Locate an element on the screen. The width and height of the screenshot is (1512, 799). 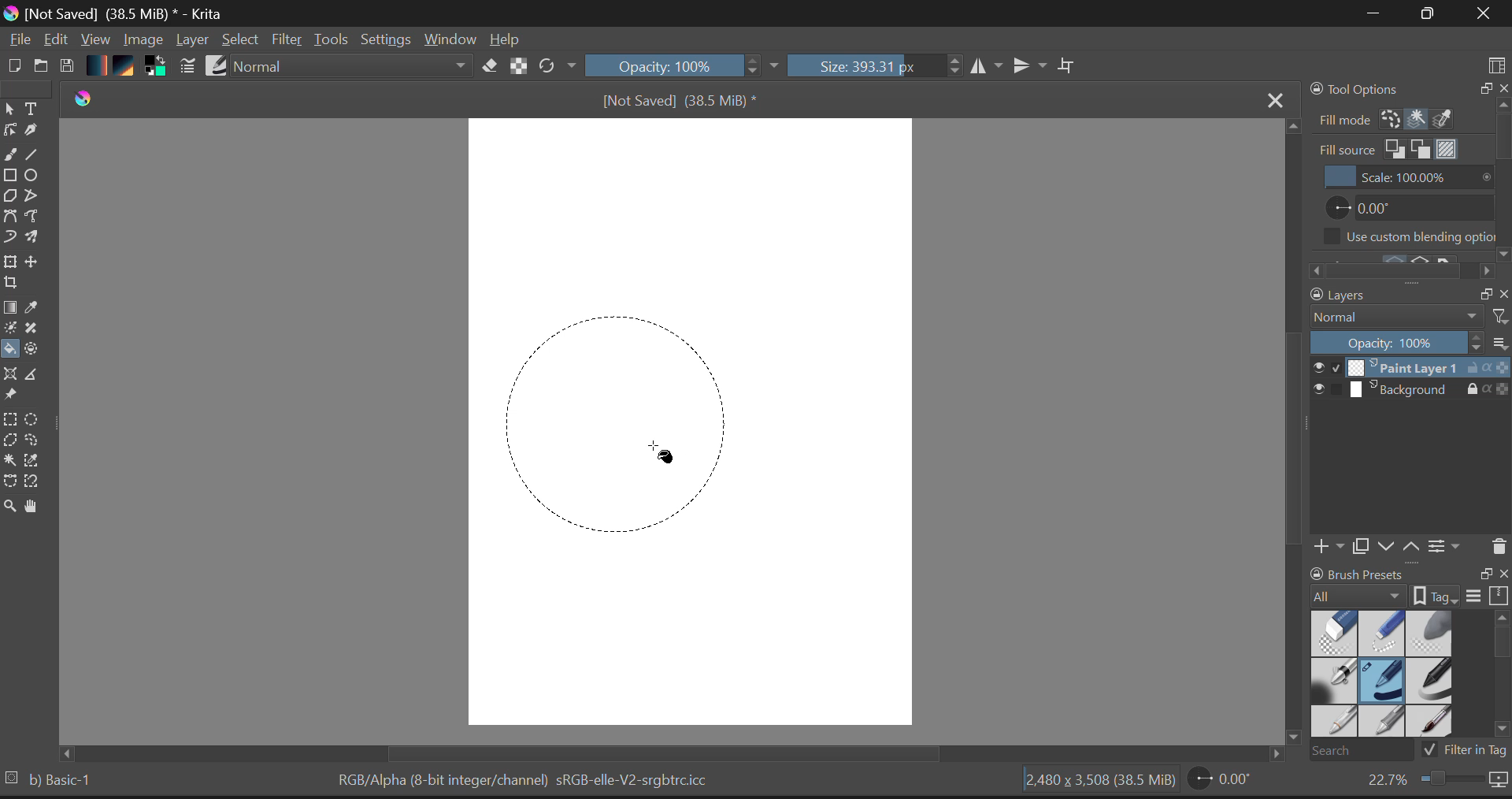
Fill is located at coordinates (11, 349).